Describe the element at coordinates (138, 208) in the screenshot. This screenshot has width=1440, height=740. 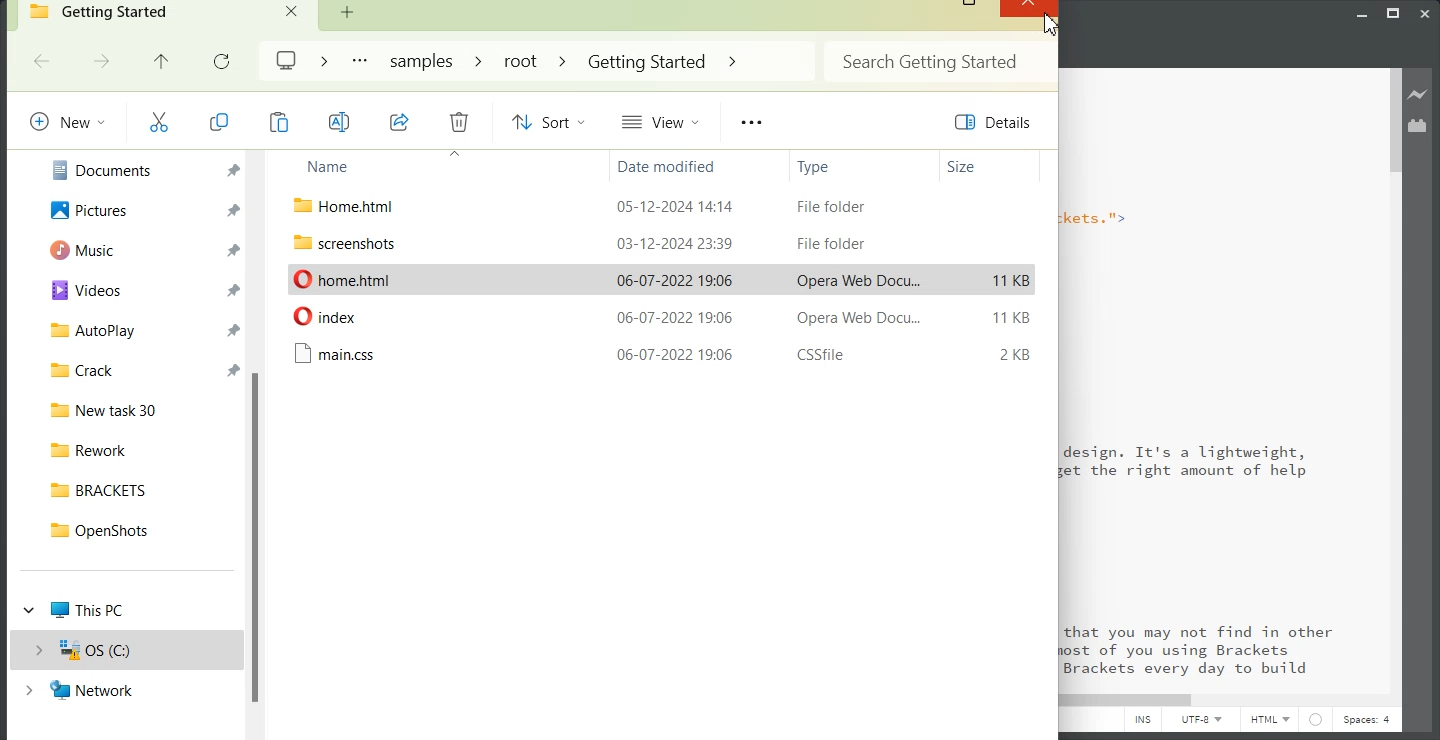
I see `Pictures` at that location.